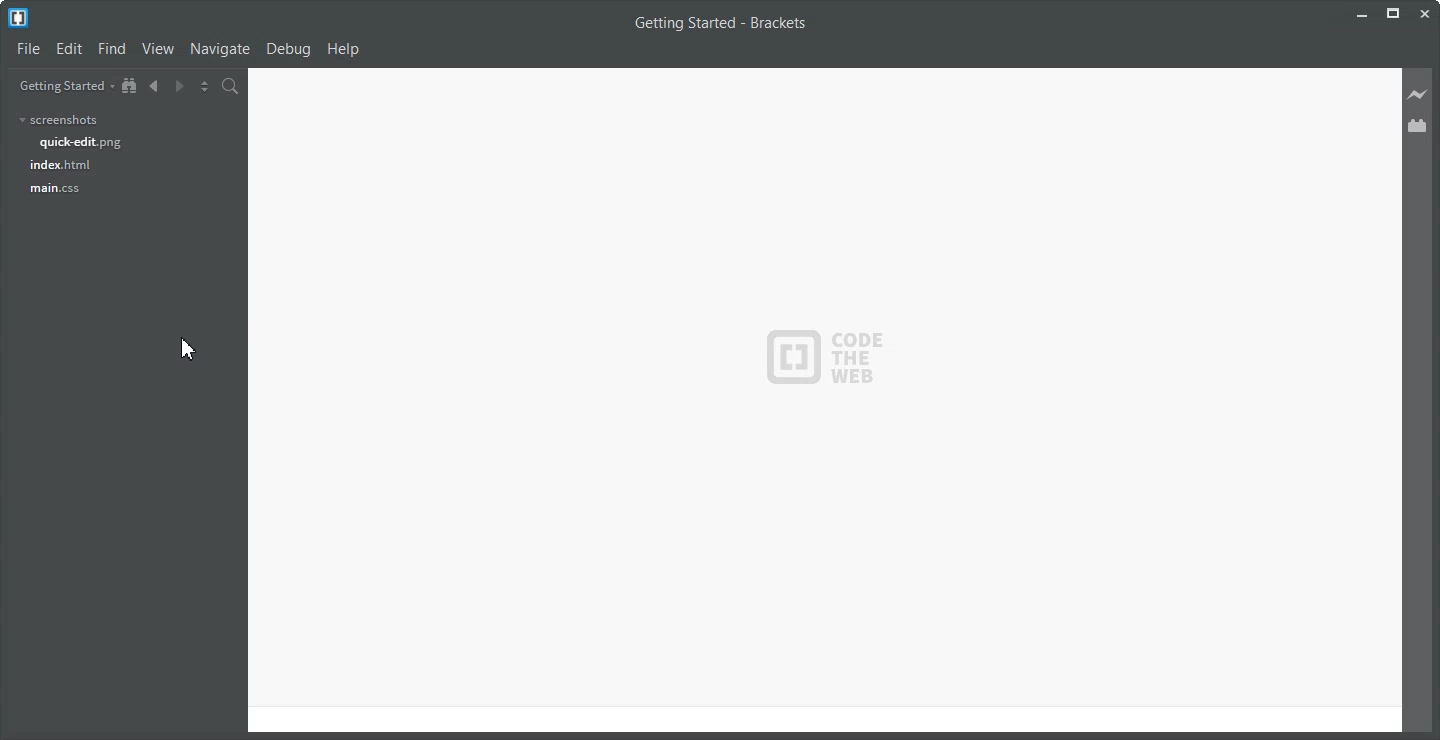  What do you see at coordinates (112, 48) in the screenshot?
I see `Find` at bounding box center [112, 48].